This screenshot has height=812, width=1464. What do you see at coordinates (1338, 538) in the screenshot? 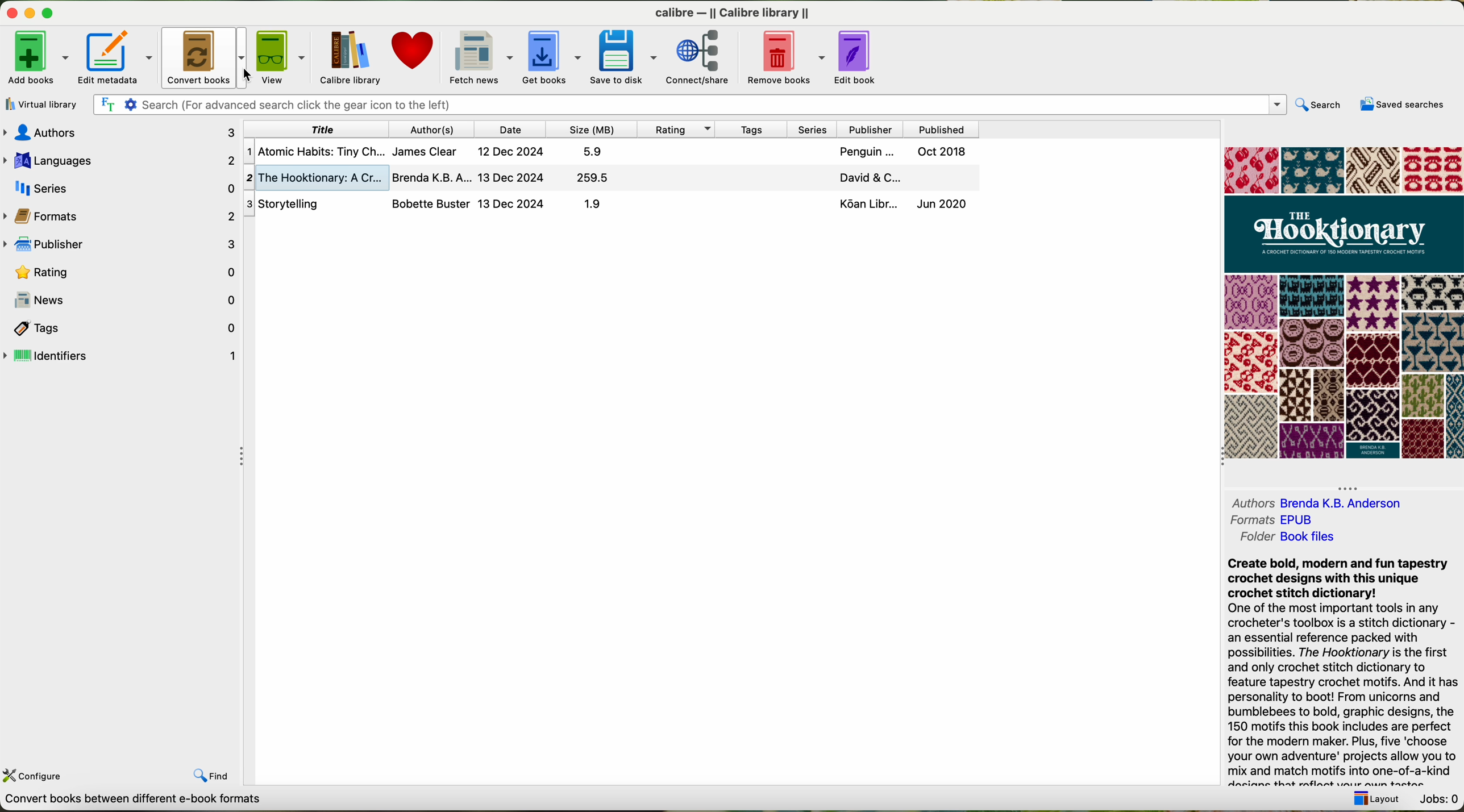
I see `Book File` at bounding box center [1338, 538].